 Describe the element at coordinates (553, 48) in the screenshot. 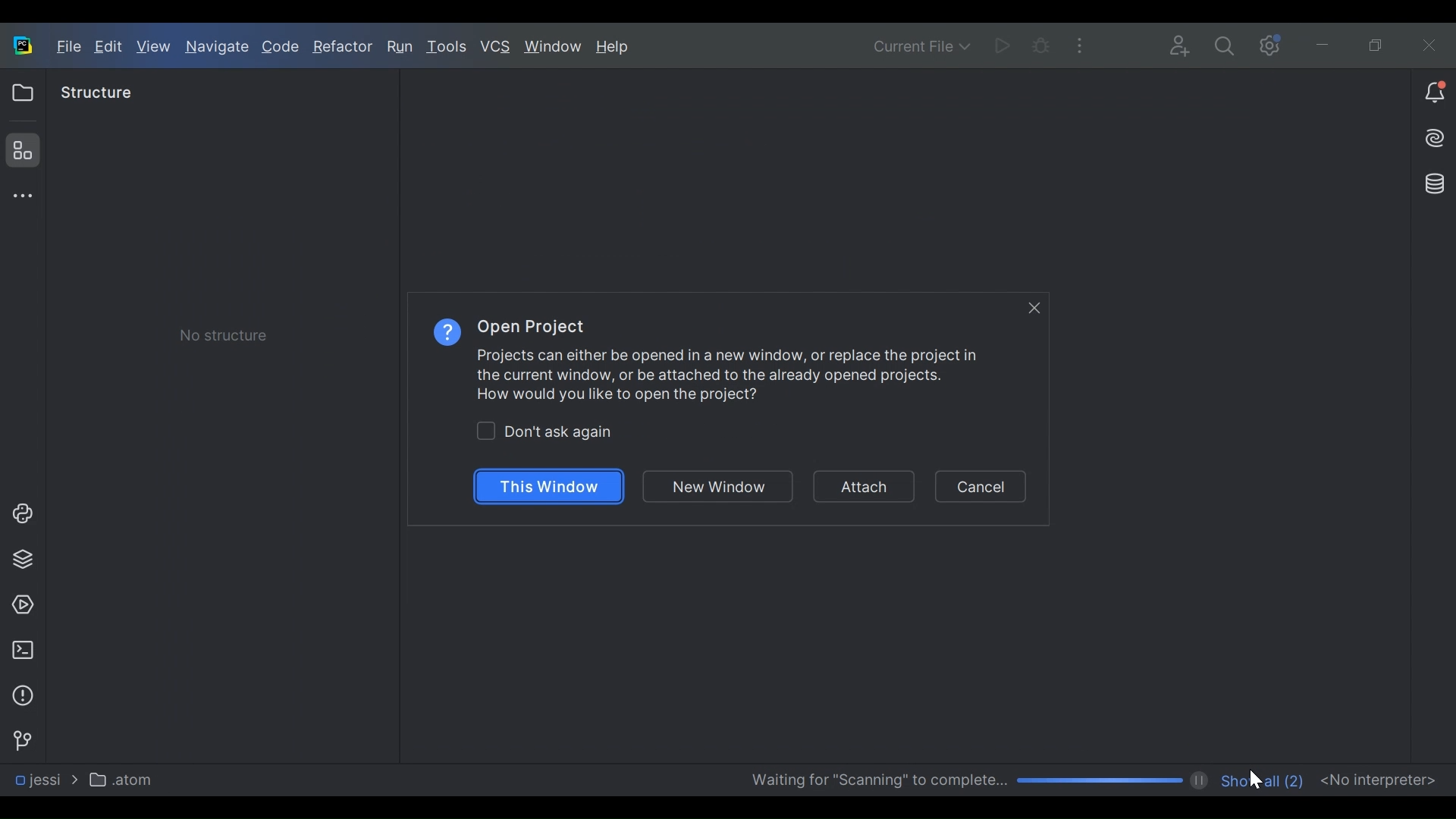

I see `Window` at that location.